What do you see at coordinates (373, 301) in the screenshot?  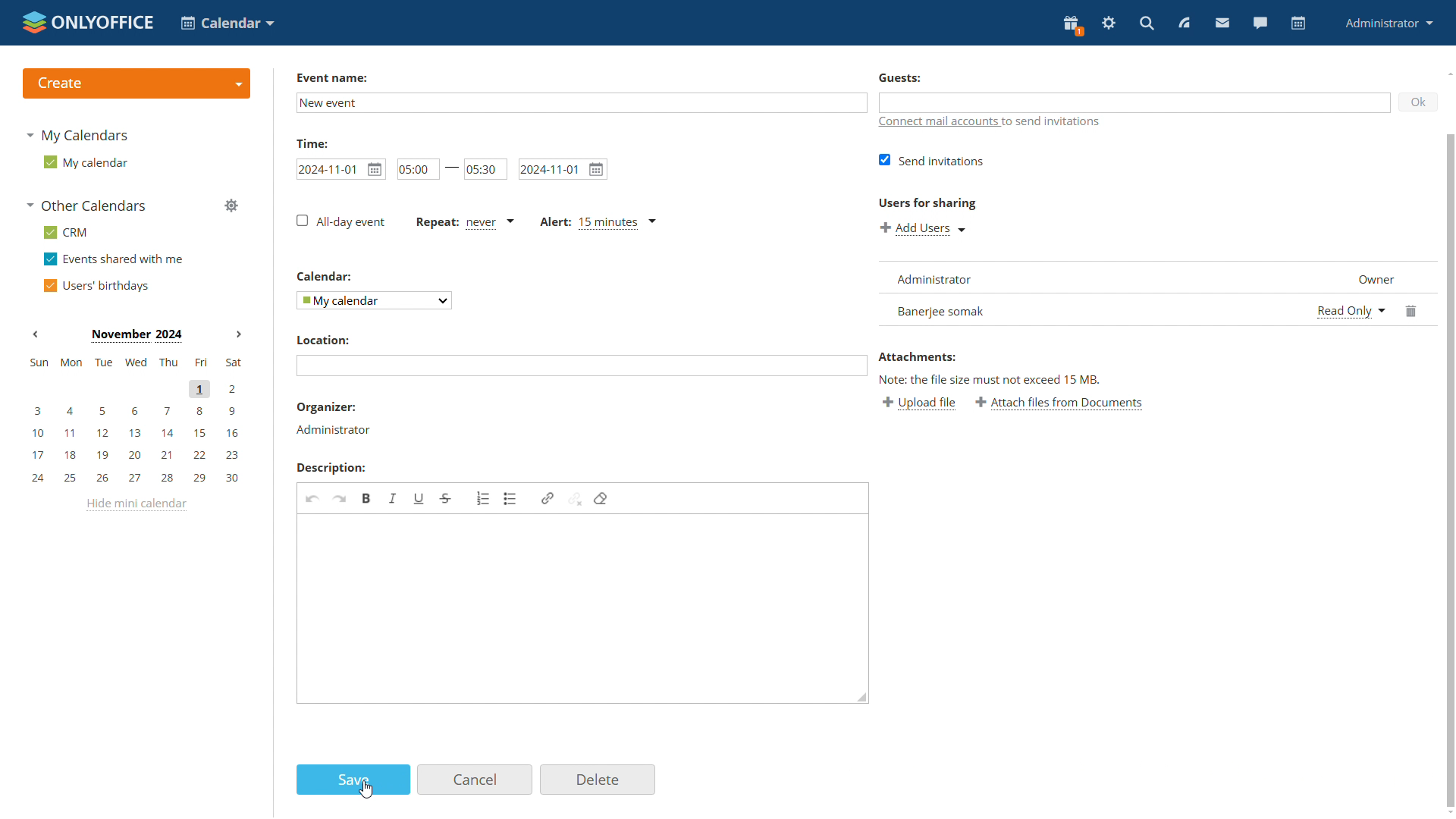 I see `My calendar` at bounding box center [373, 301].